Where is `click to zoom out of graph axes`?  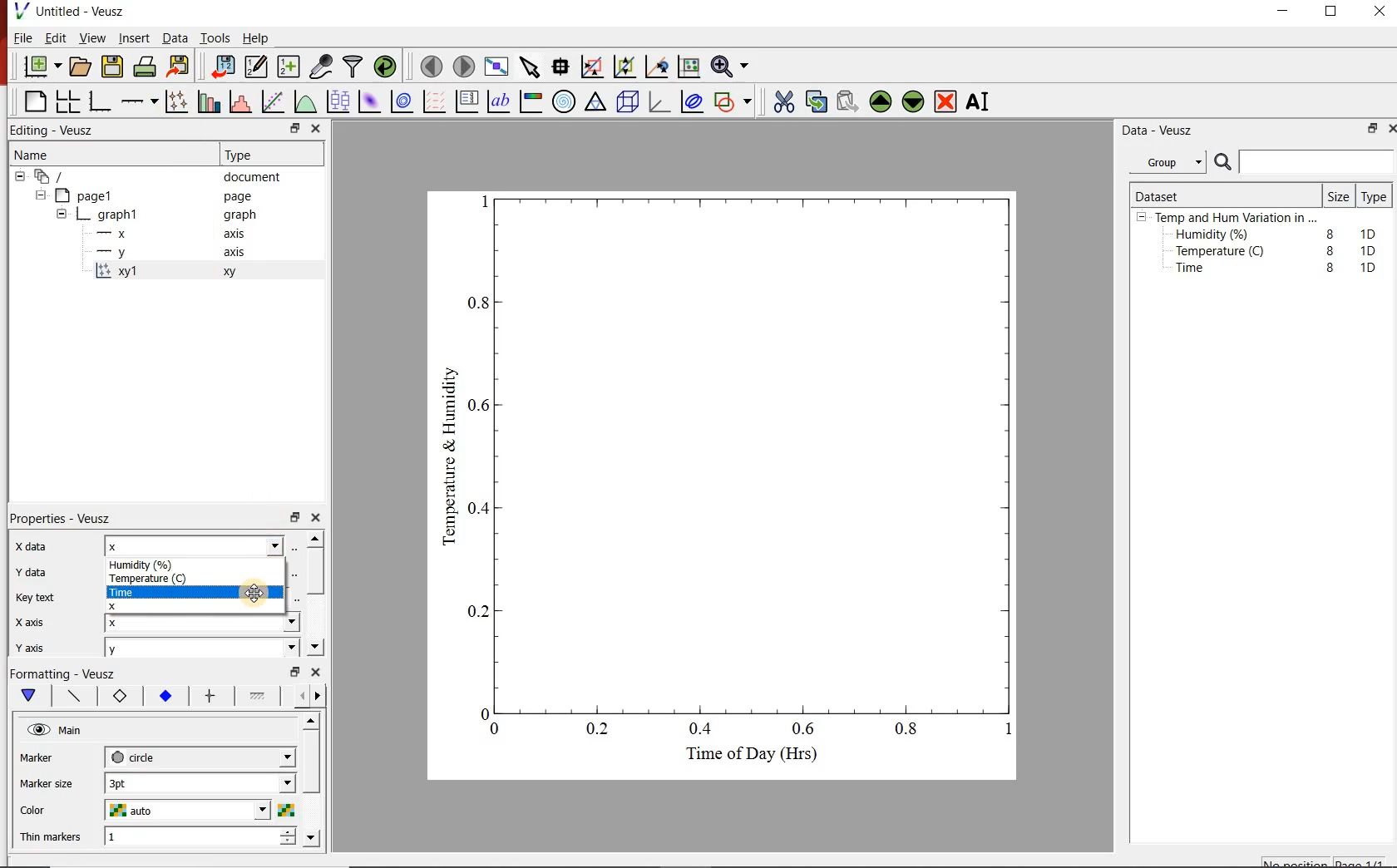
click to zoom out of graph axes is located at coordinates (625, 68).